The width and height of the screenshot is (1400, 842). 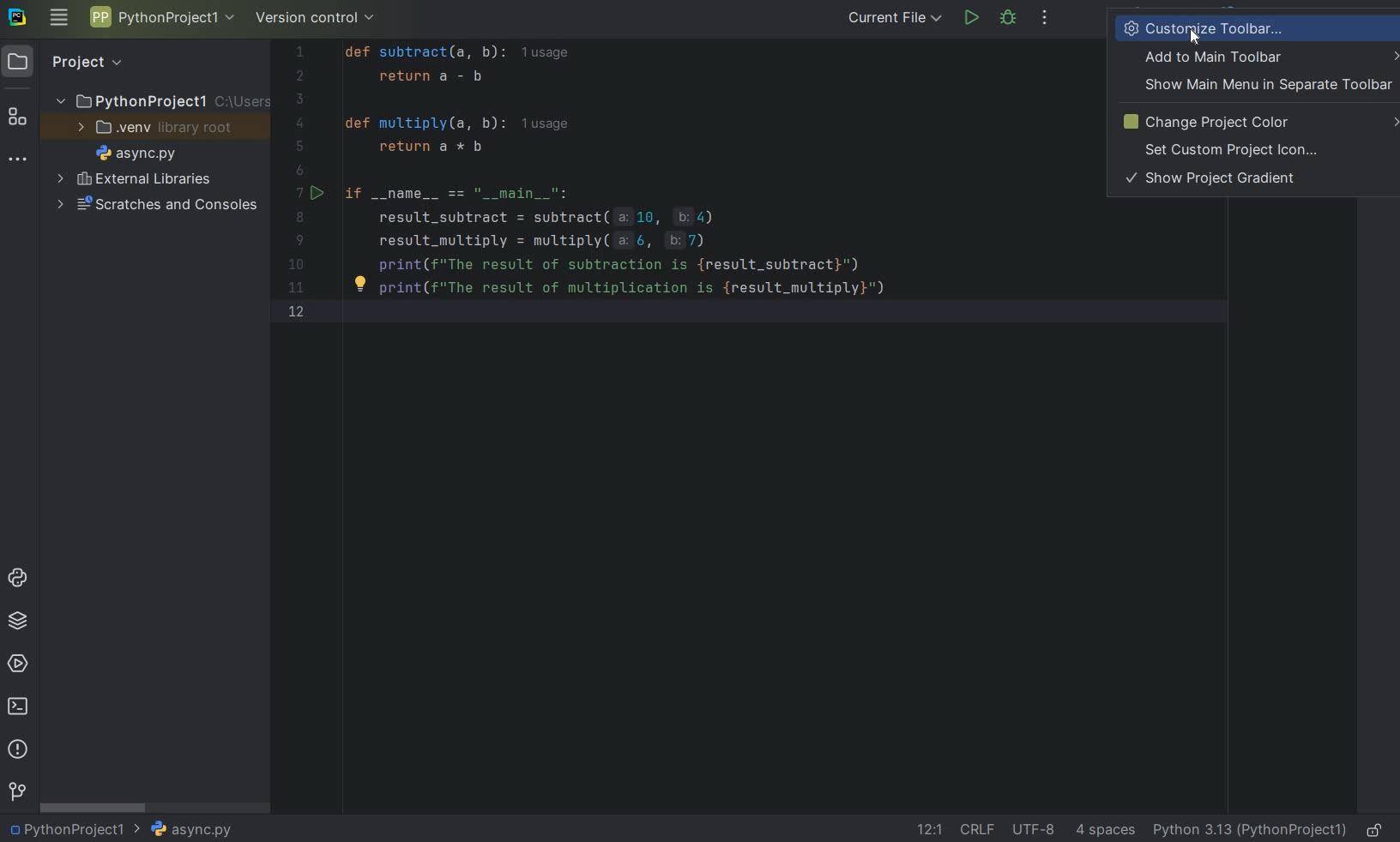 I want to click on SYSTEM LOGO, so click(x=19, y=18).